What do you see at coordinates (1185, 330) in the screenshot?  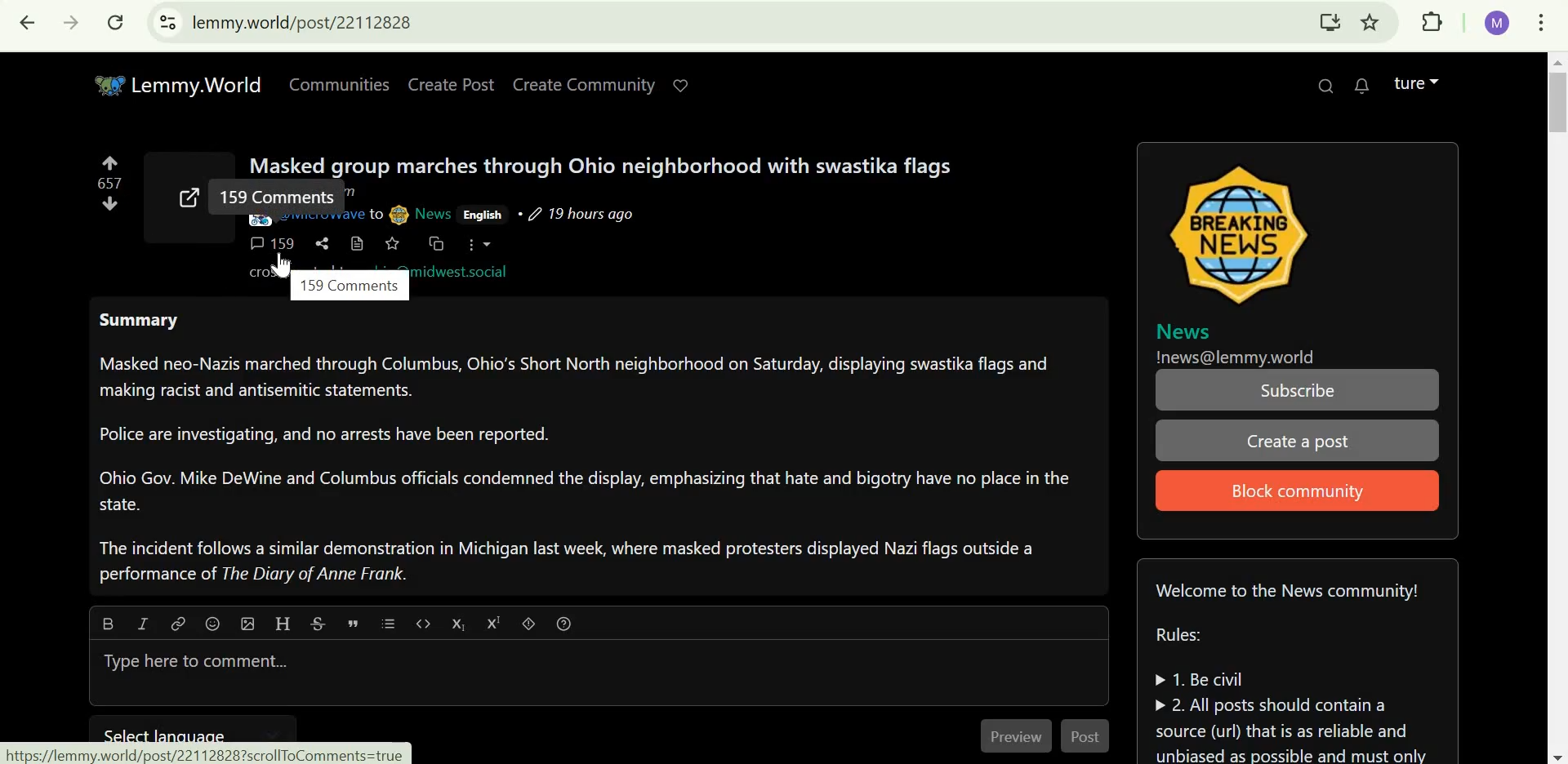 I see `News` at bounding box center [1185, 330].